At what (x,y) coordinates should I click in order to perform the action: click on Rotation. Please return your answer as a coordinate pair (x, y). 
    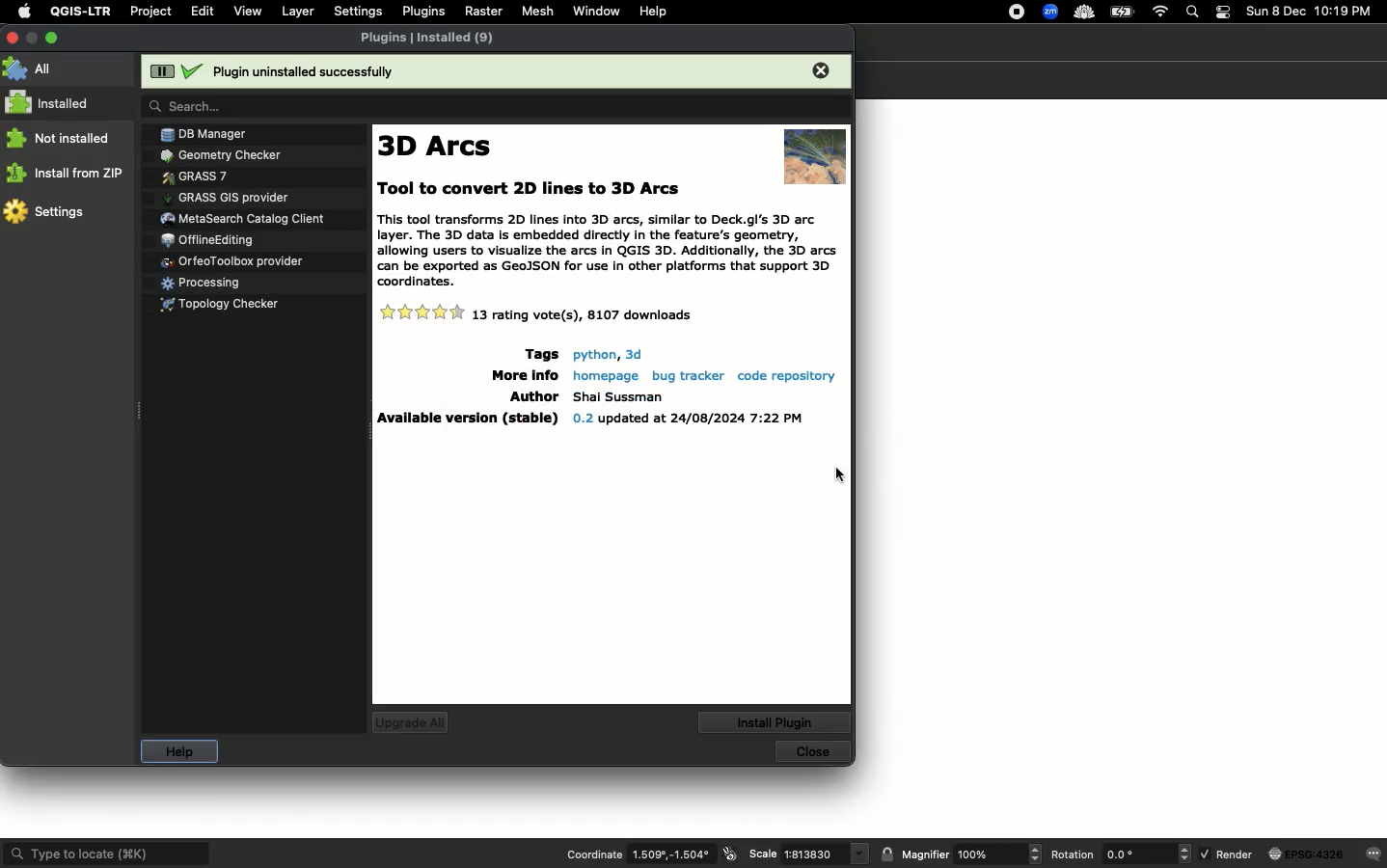
    Looking at the image, I should click on (1122, 855).